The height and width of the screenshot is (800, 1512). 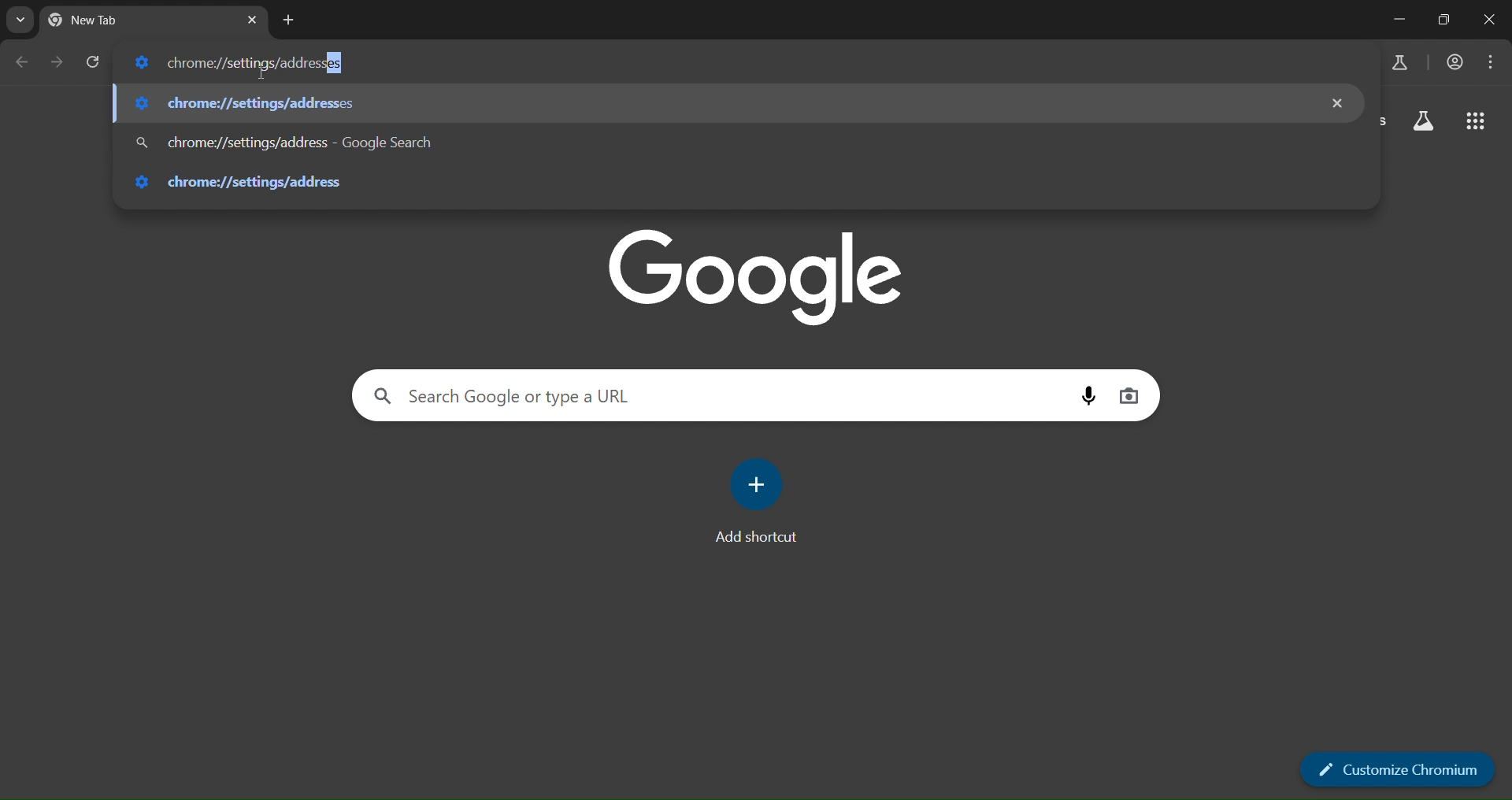 I want to click on restore down, so click(x=1441, y=20).